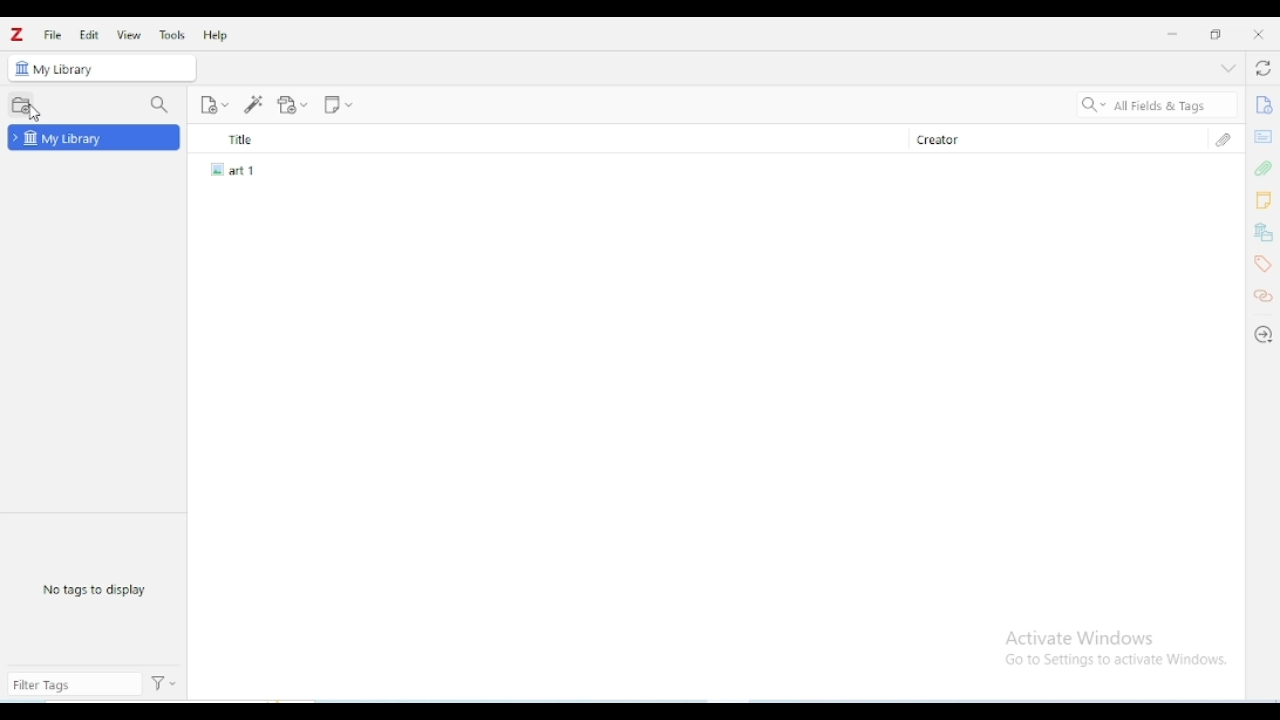  What do you see at coordinates (1263, 335) in the screenshot?
I see `locate` at bounding box center [1263, 335].